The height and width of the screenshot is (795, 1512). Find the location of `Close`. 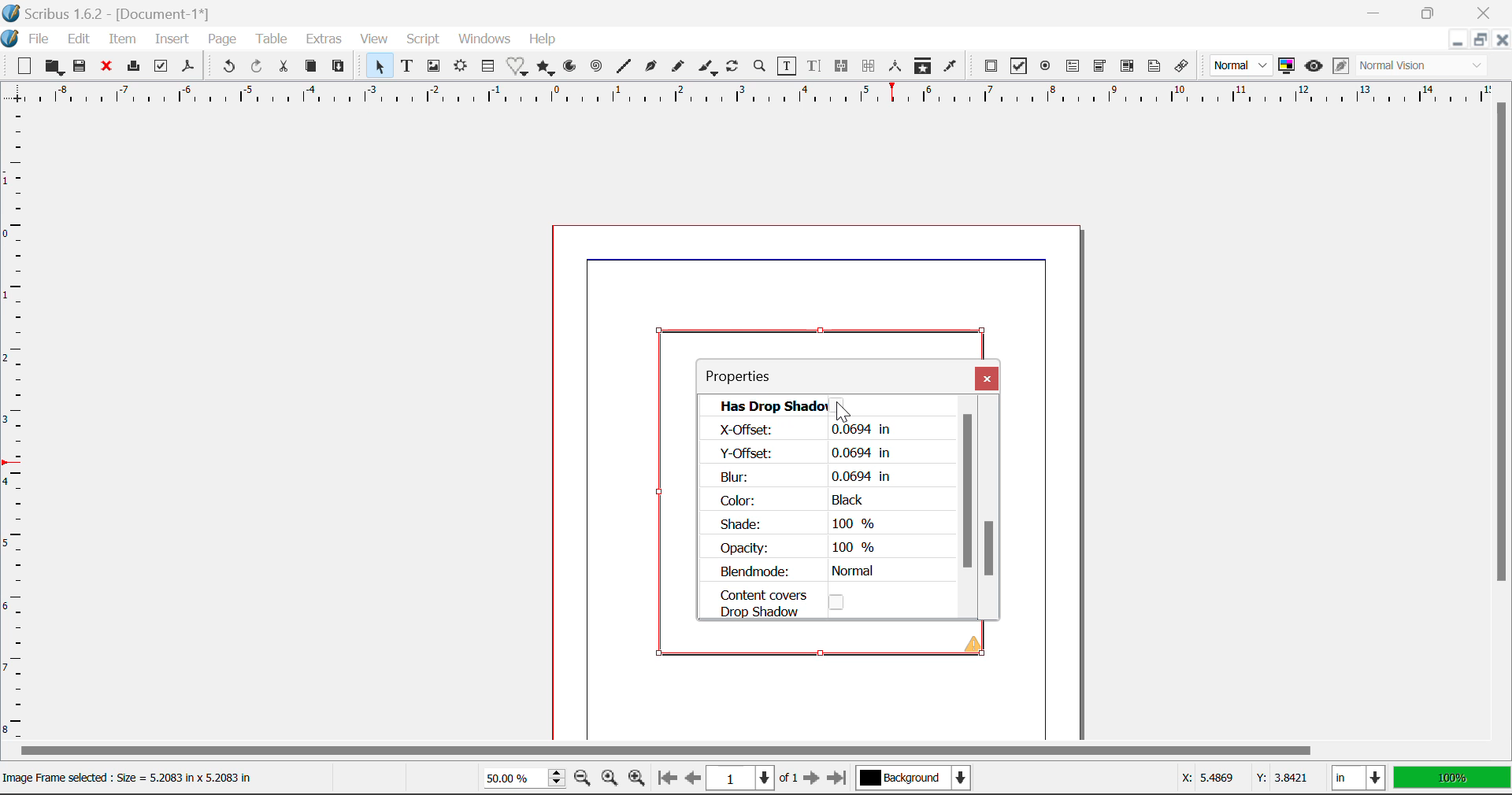

Close is located at coordinates (1484, 11).